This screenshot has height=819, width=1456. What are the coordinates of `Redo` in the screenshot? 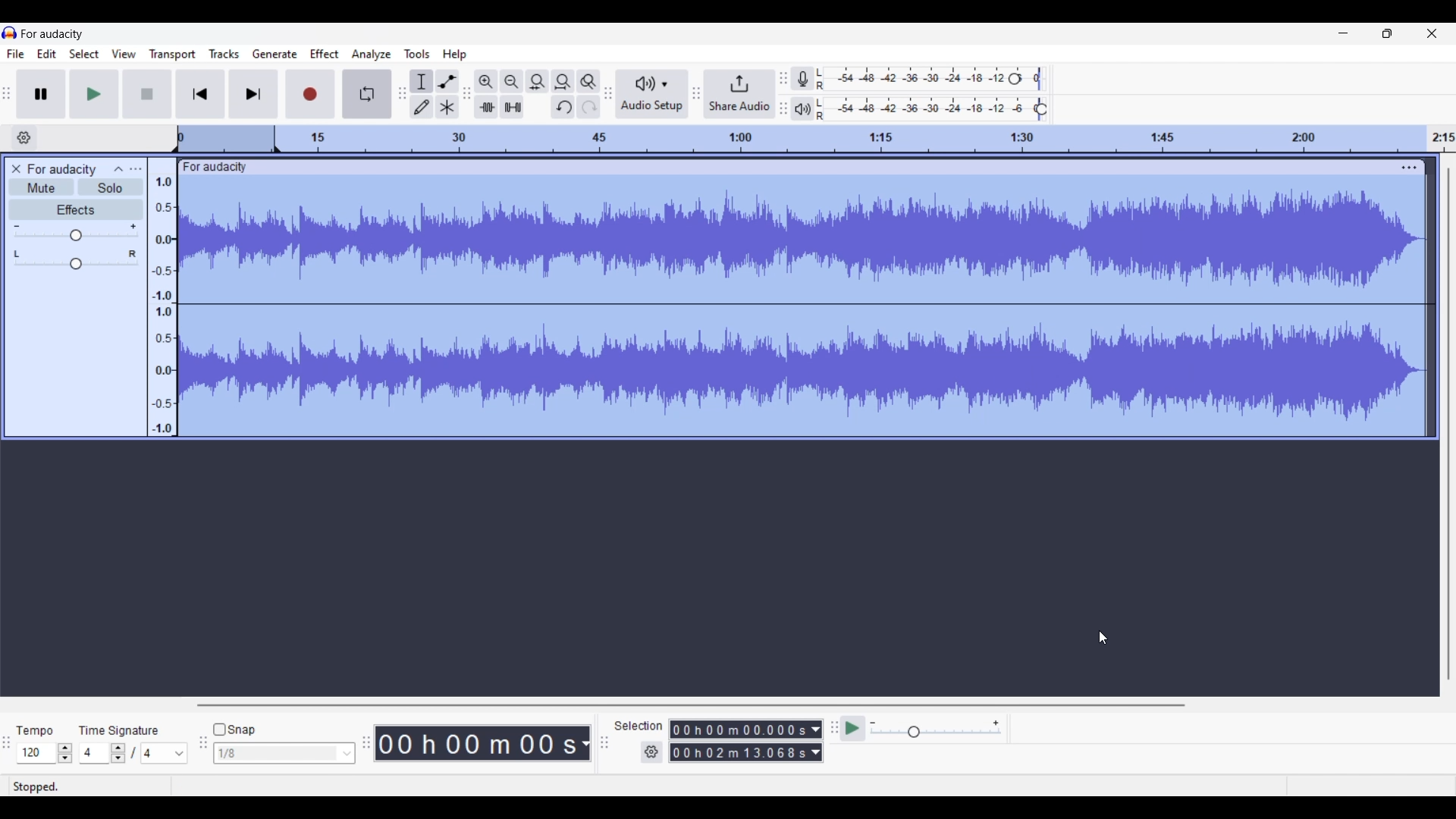 It's located at (588, 106).